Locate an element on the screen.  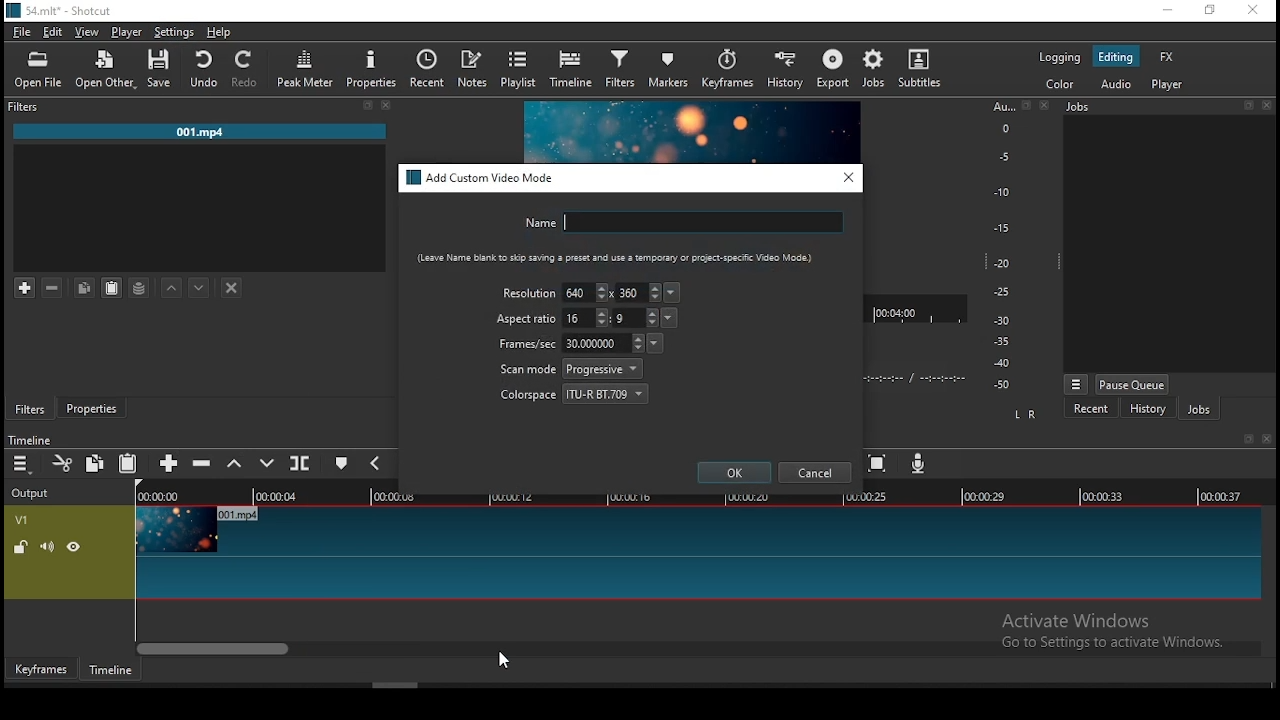
-5 is located at coordinates (1002, 155).